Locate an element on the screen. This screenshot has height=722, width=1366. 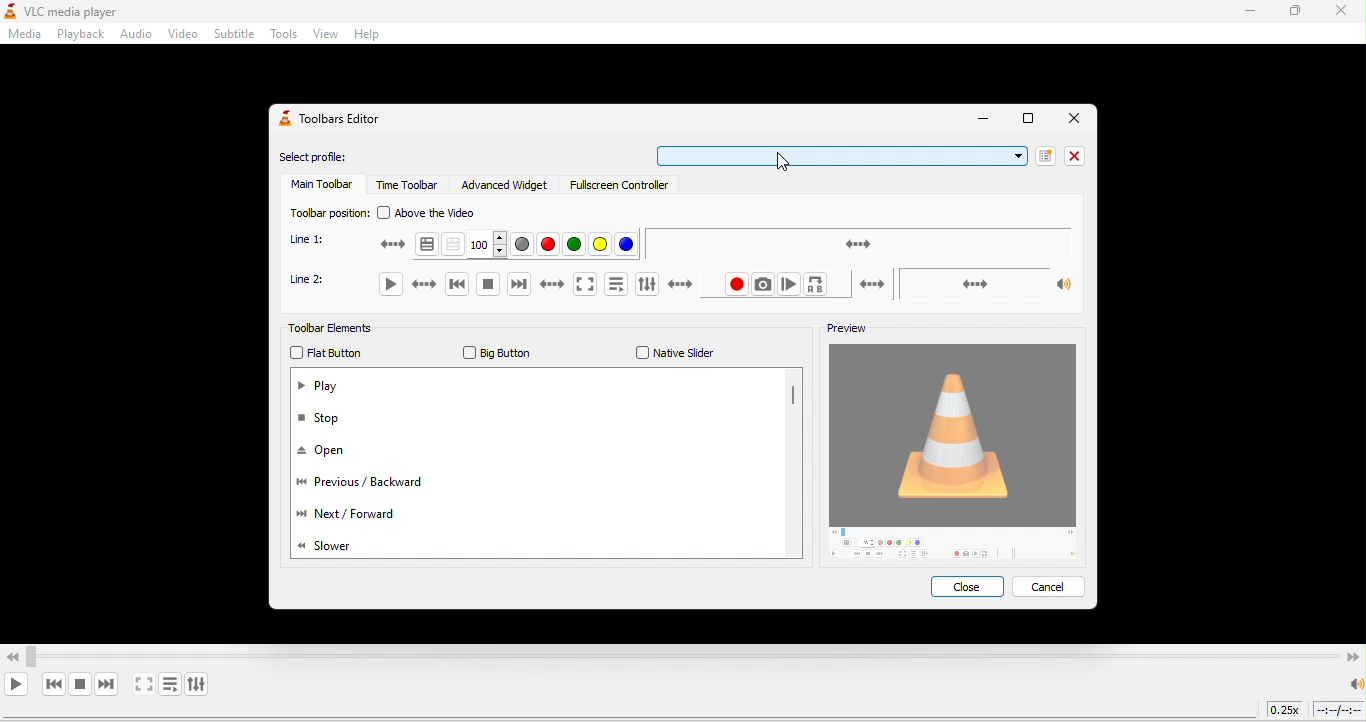
slower is located at coordinates (336, 545).